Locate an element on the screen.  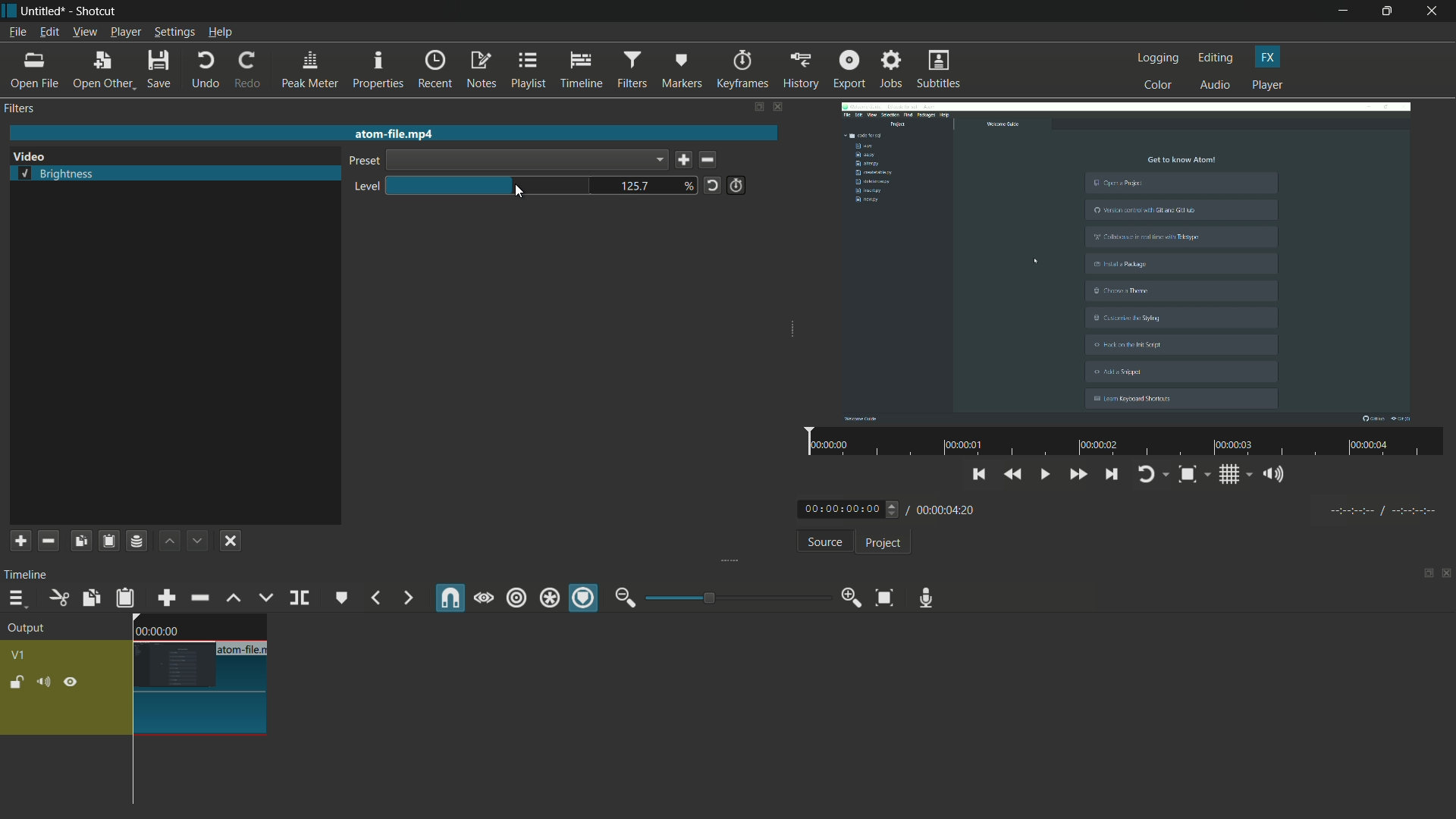
skip to the next point is located at coordinates (1112, 476).